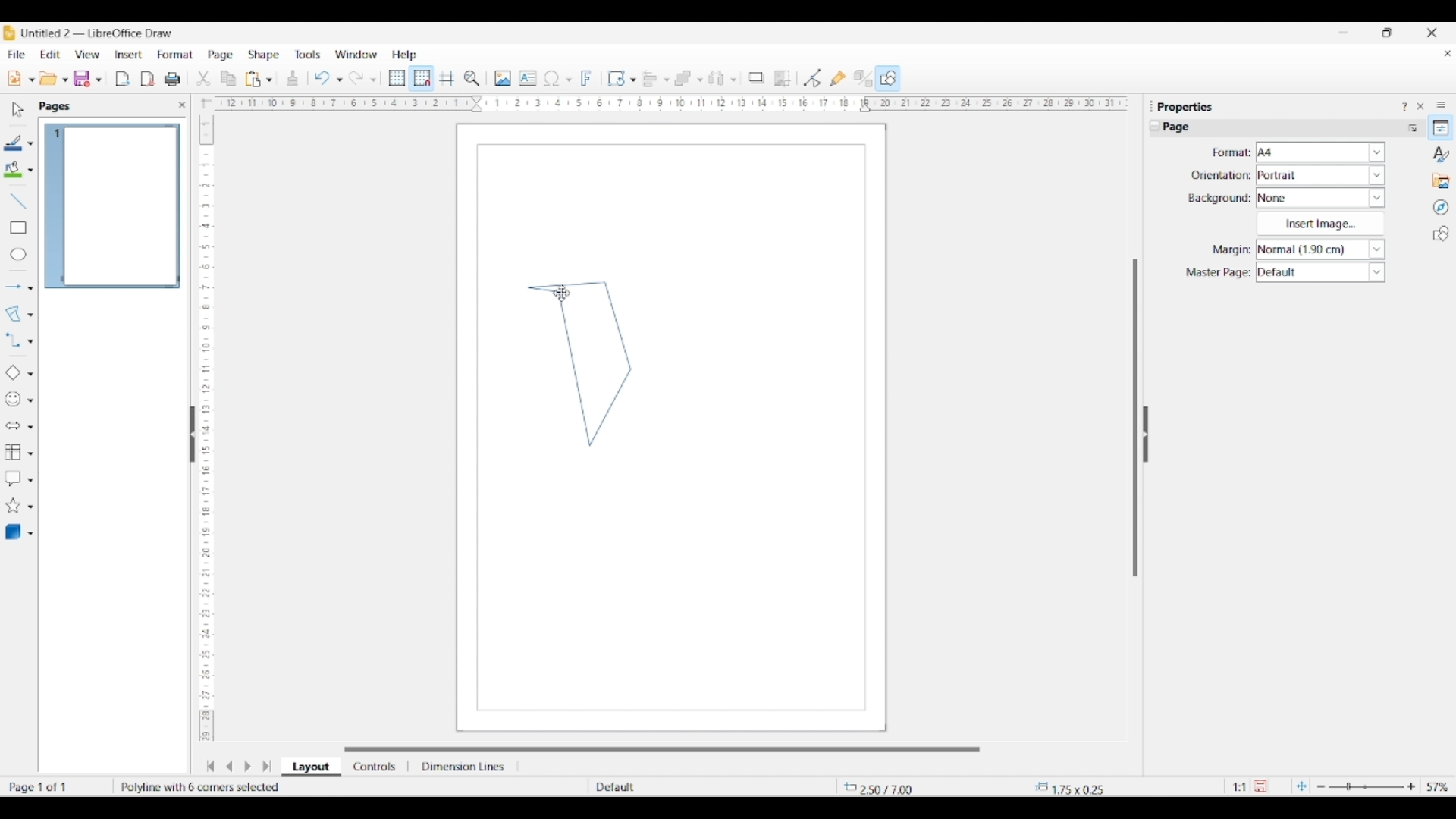 This screenshot has height=819, width=1456. What do you see at coordinates (1432, 33) in the screenshot?
I see `Close interface` at bounding box center [1432, 33].